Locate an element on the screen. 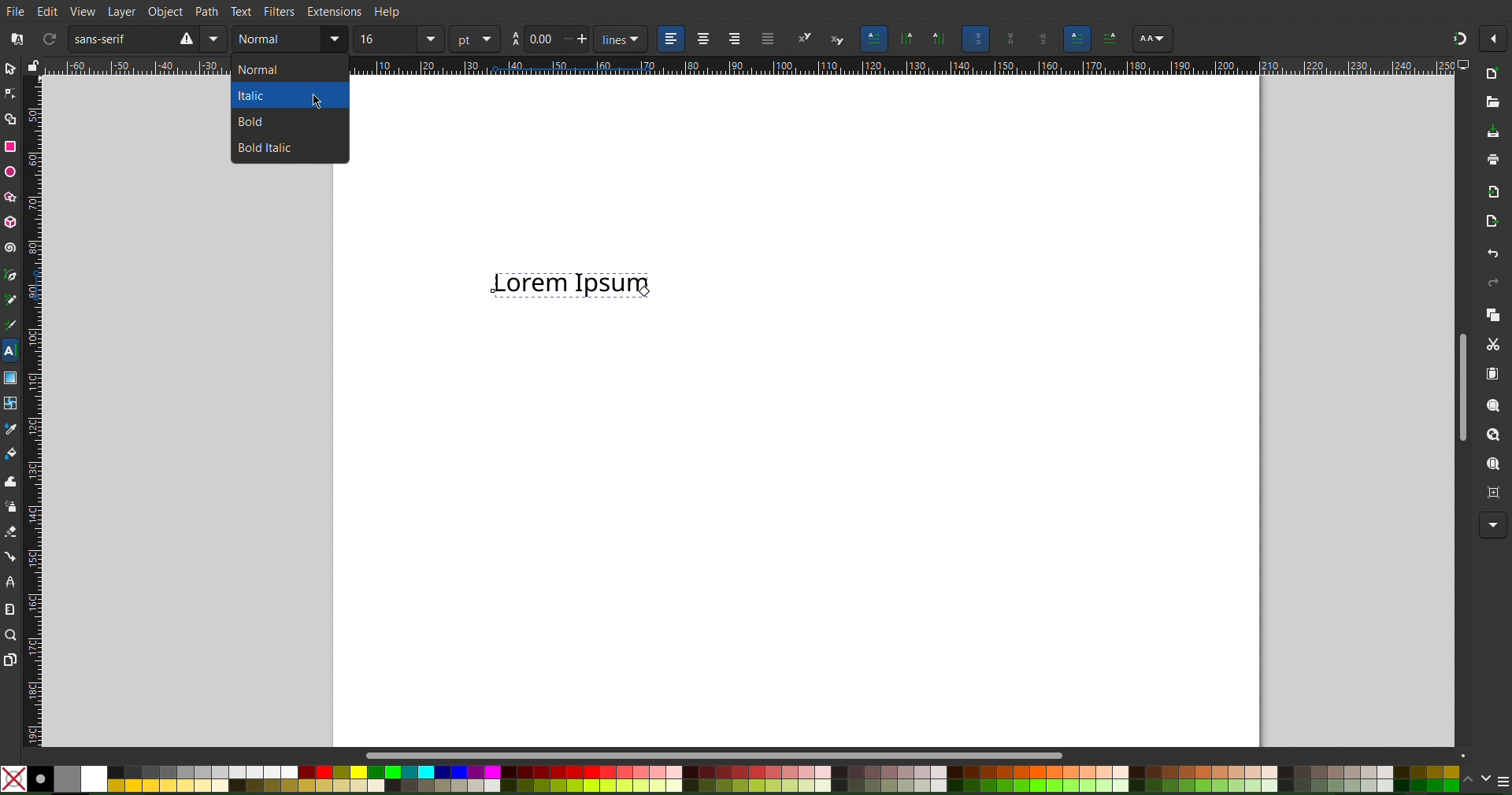 The height and width of the screenshot is (795, 1512). Fill Color is located at coordinates (11, 453).